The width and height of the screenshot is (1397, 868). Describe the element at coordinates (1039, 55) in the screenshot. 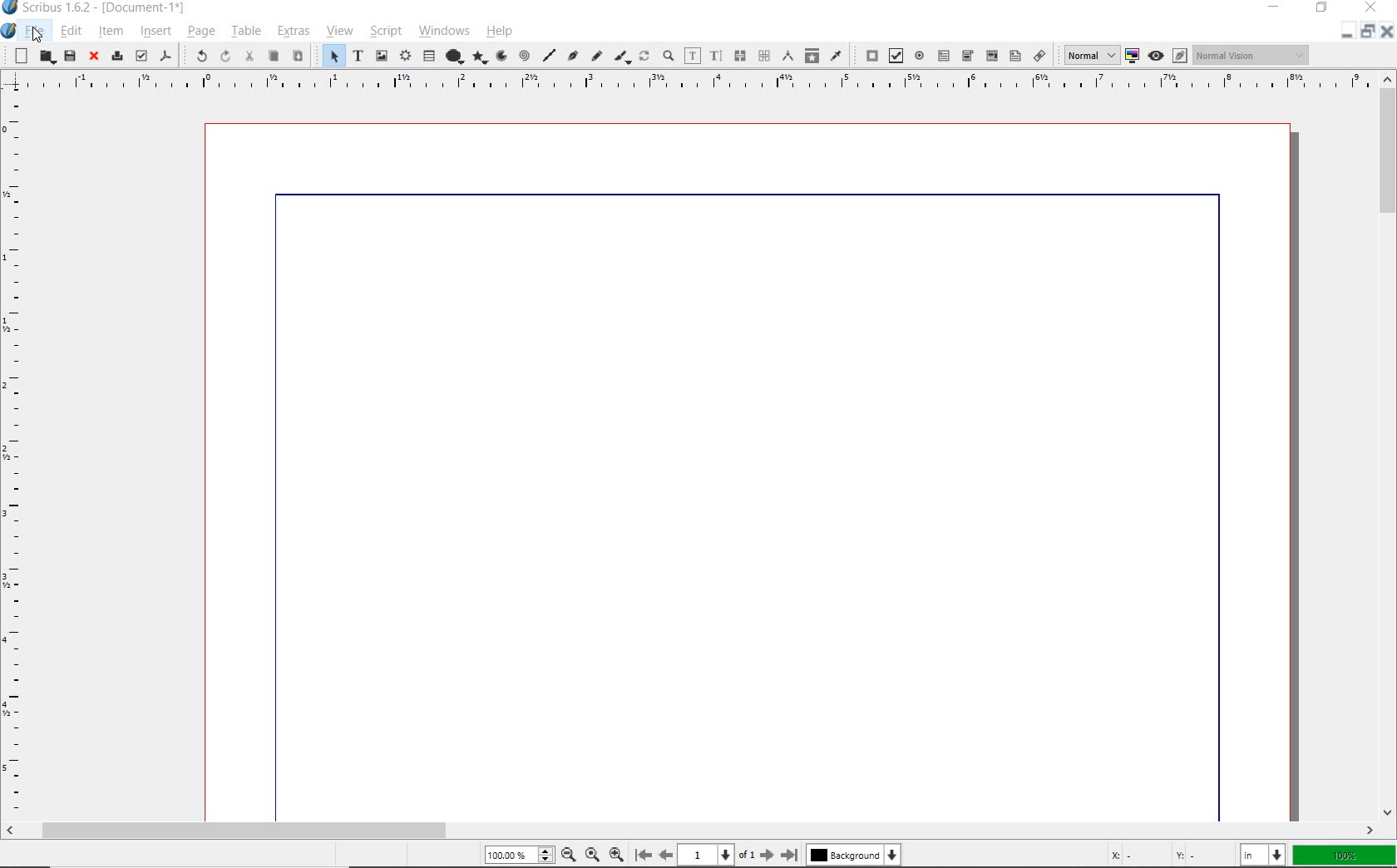

I see `link annotation` at that location.